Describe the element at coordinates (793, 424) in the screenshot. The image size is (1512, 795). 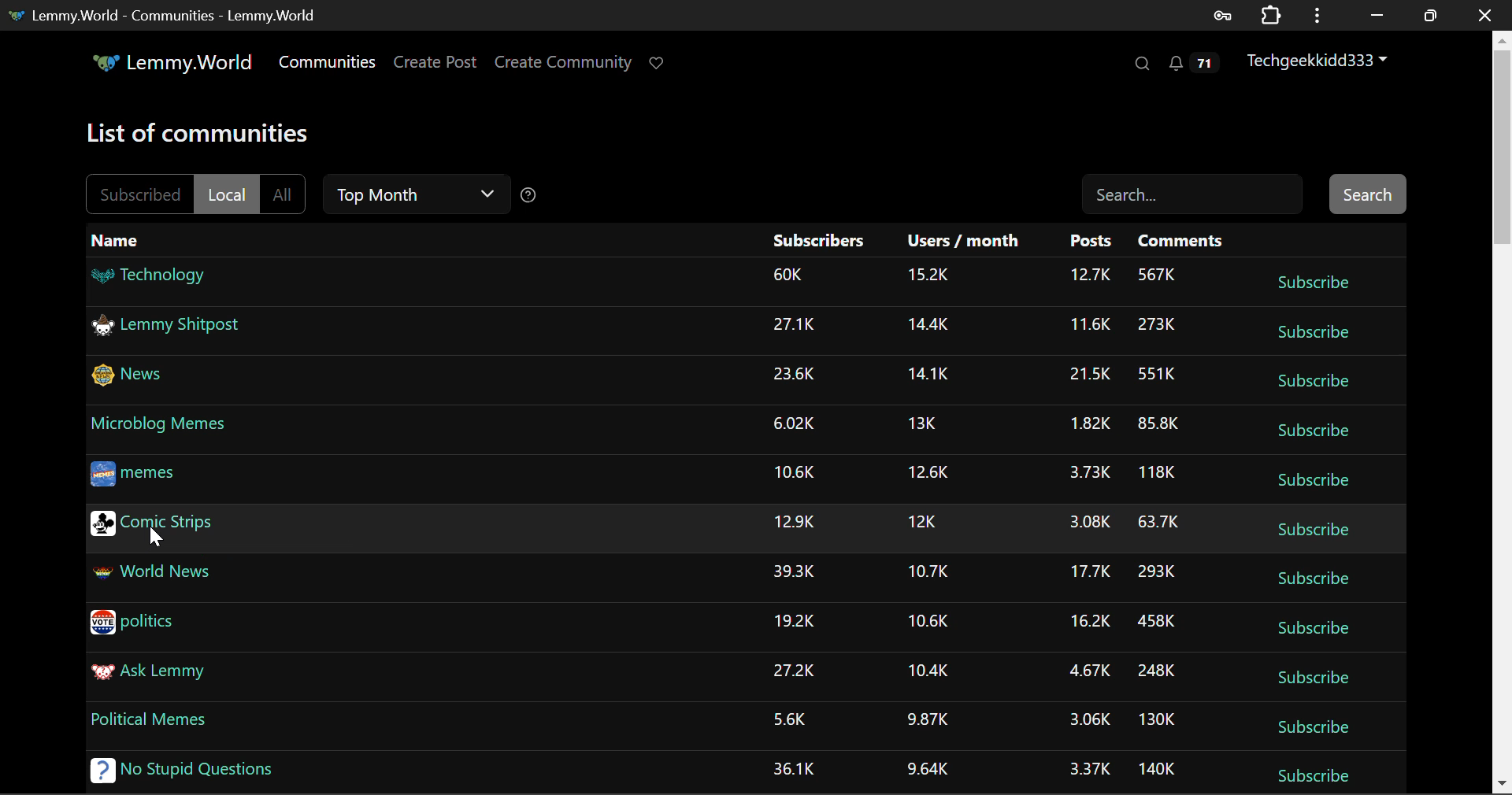
I see `6.02K` at that location.